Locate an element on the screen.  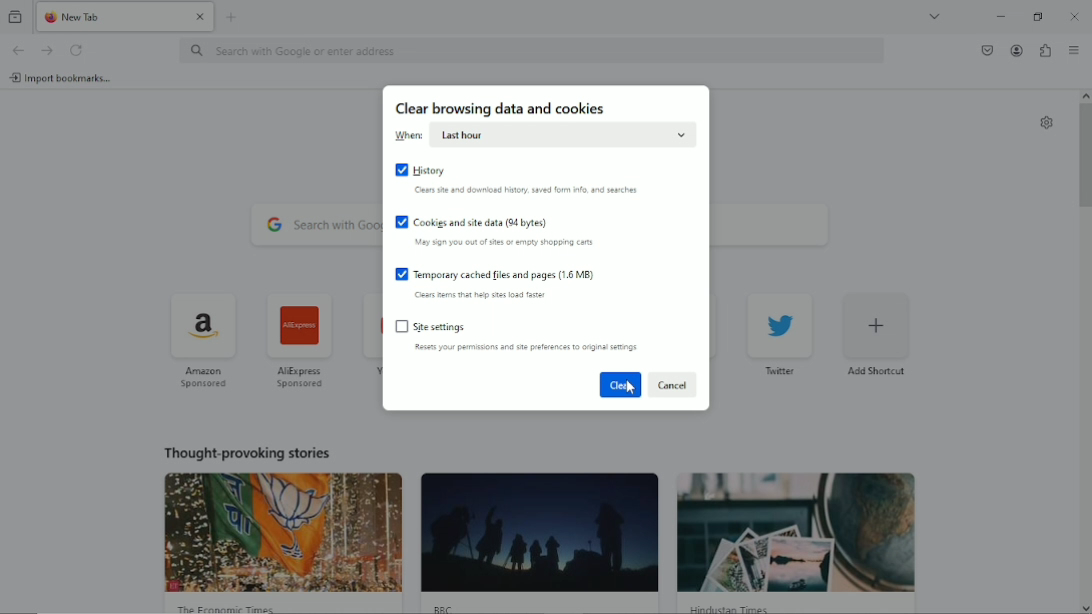
Close is located at coordinates (1073, 15).